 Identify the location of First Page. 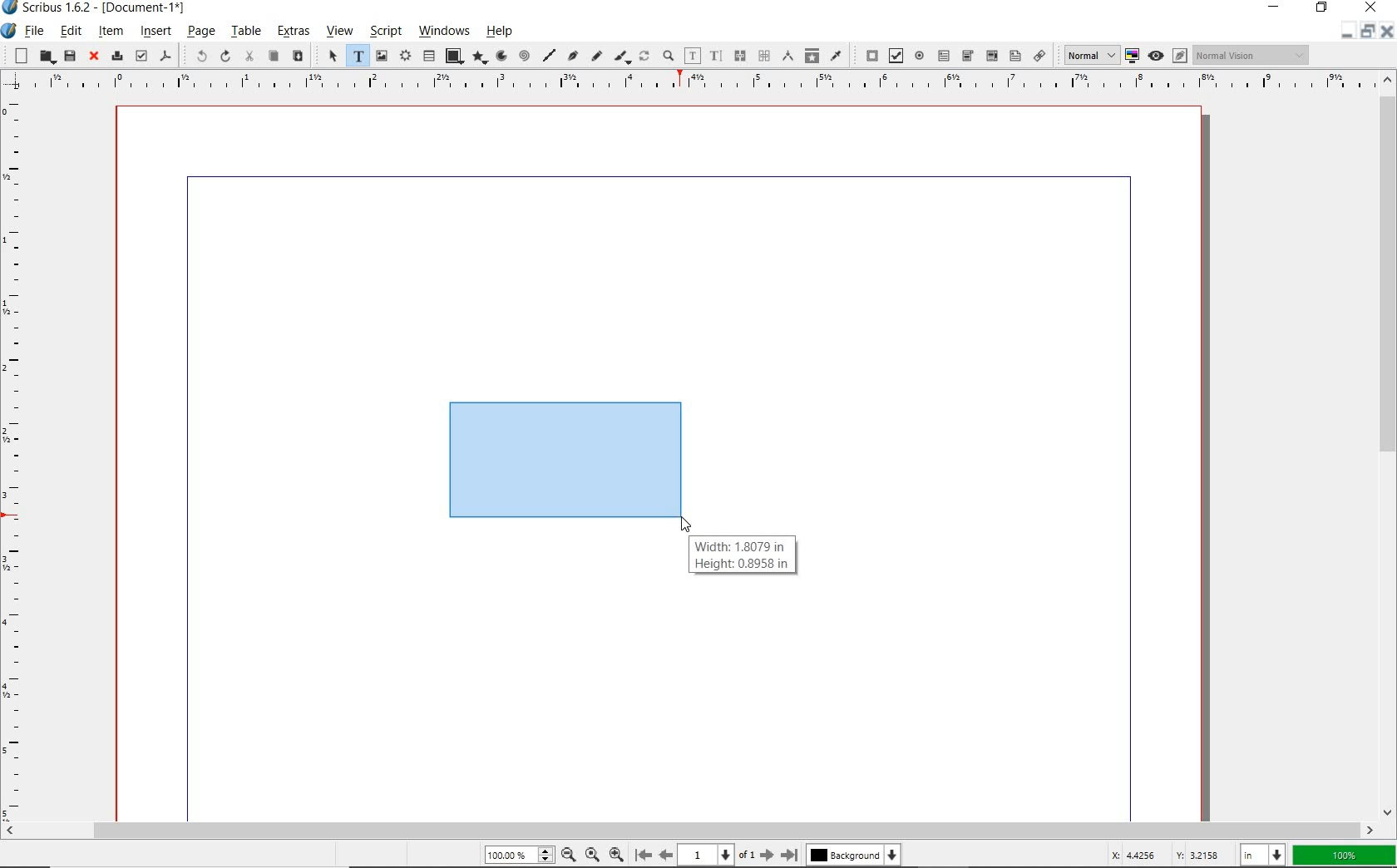
(644, 856).